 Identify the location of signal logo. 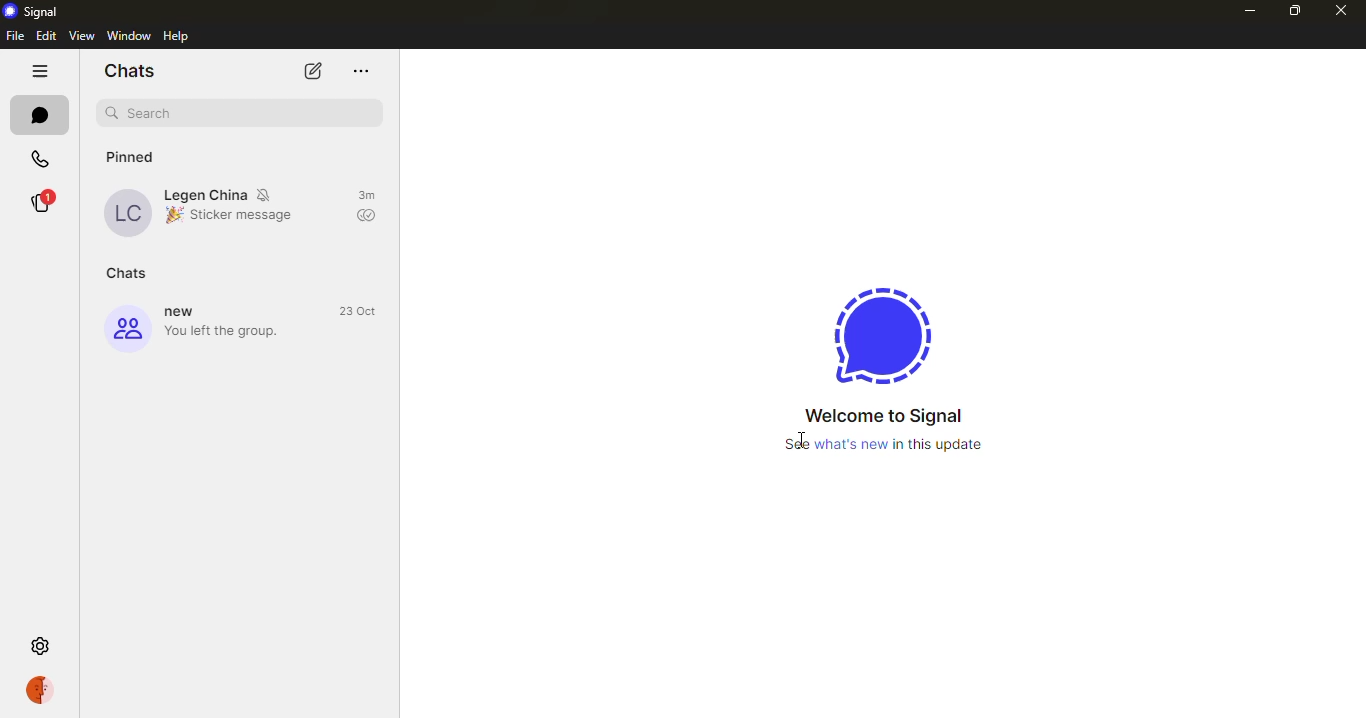
(879, 338).